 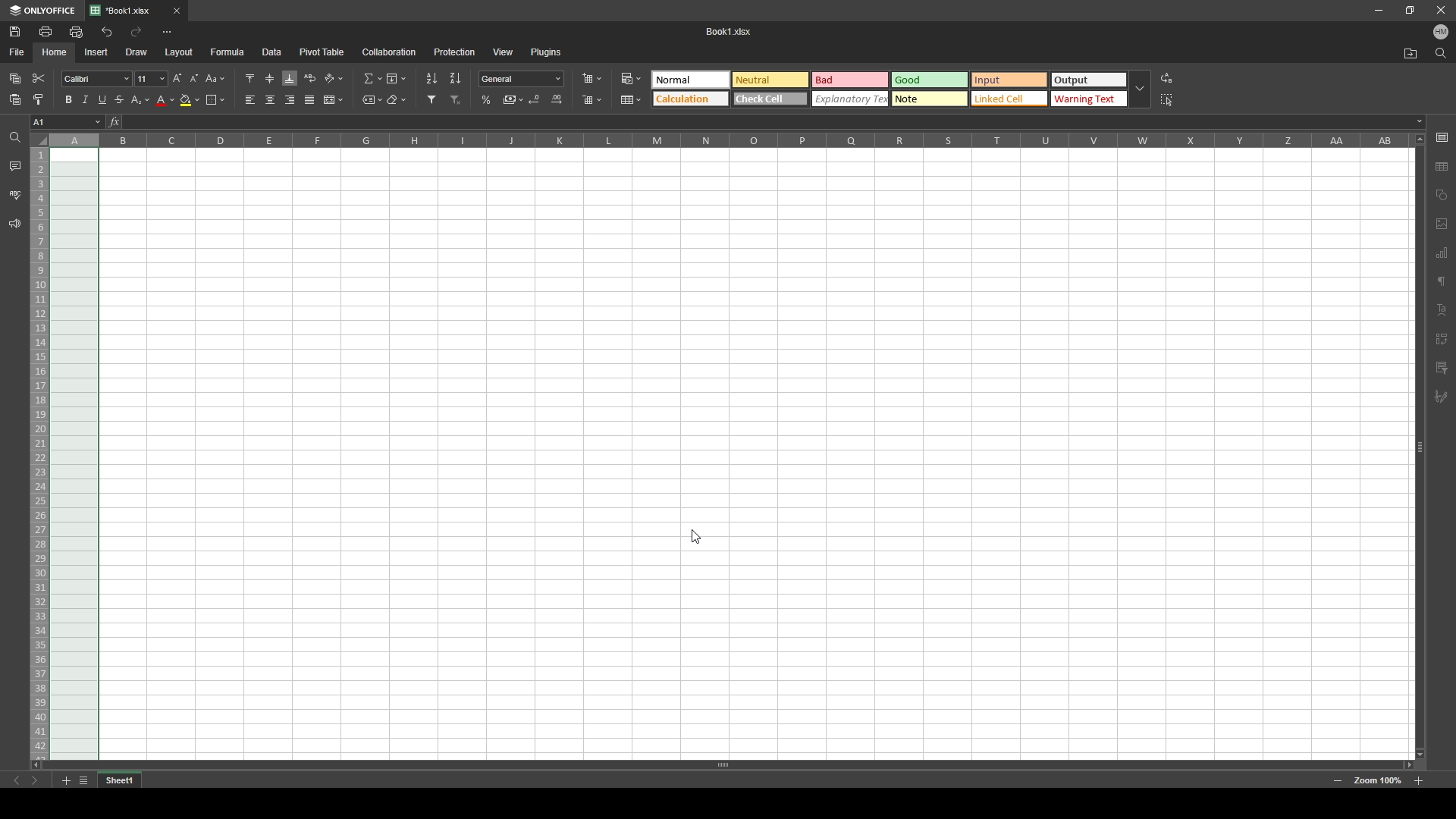 What do you see at coordinates (1141, 90) in the screenshot?
I see `drop down` at bounding box center [1141, 90].